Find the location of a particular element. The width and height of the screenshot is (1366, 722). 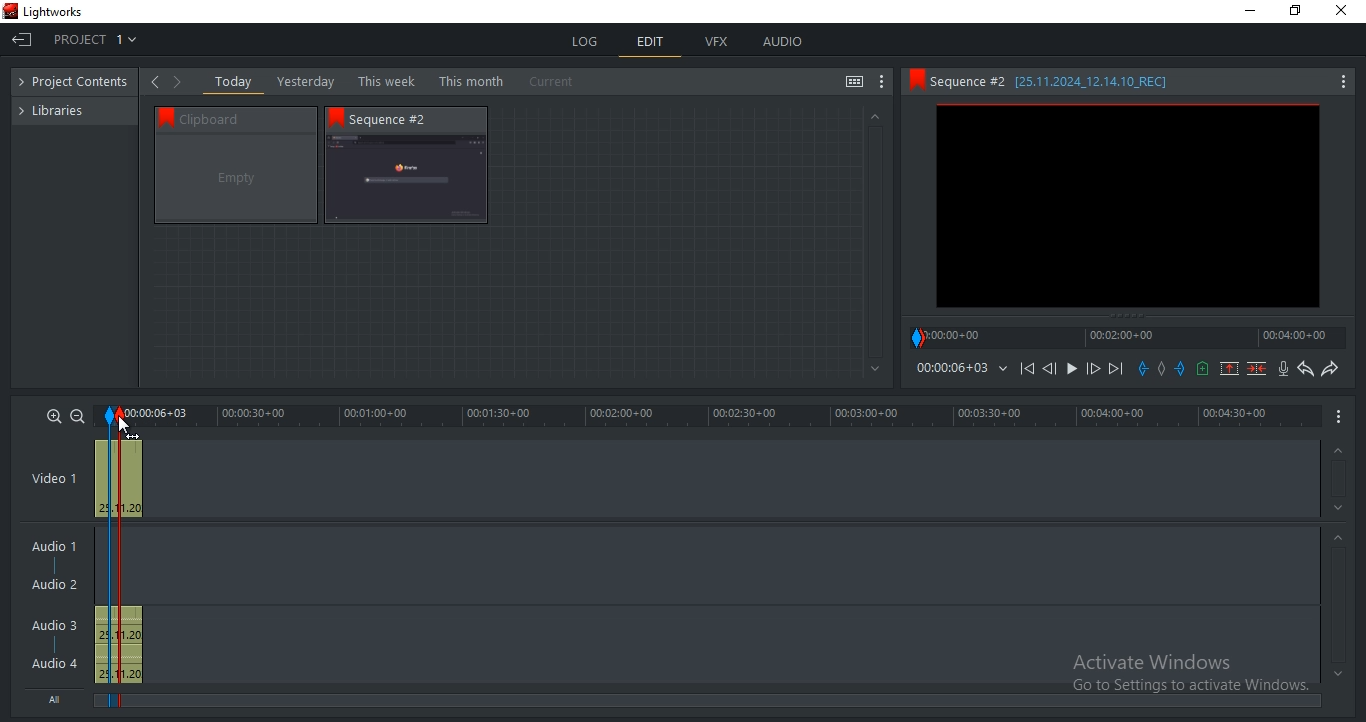

zoom out is located at coordinates (77, 416).